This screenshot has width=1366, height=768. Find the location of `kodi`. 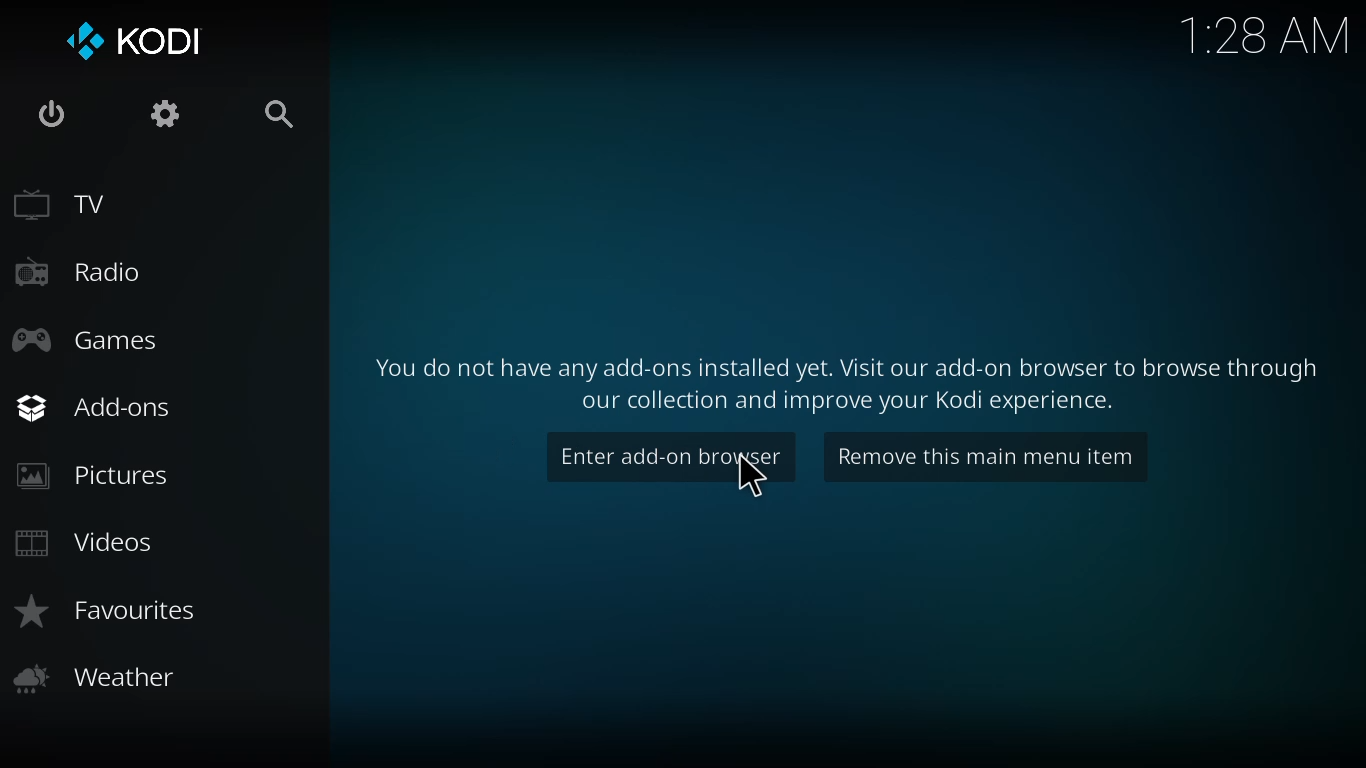

kodi is located at coordinates (135, 41).